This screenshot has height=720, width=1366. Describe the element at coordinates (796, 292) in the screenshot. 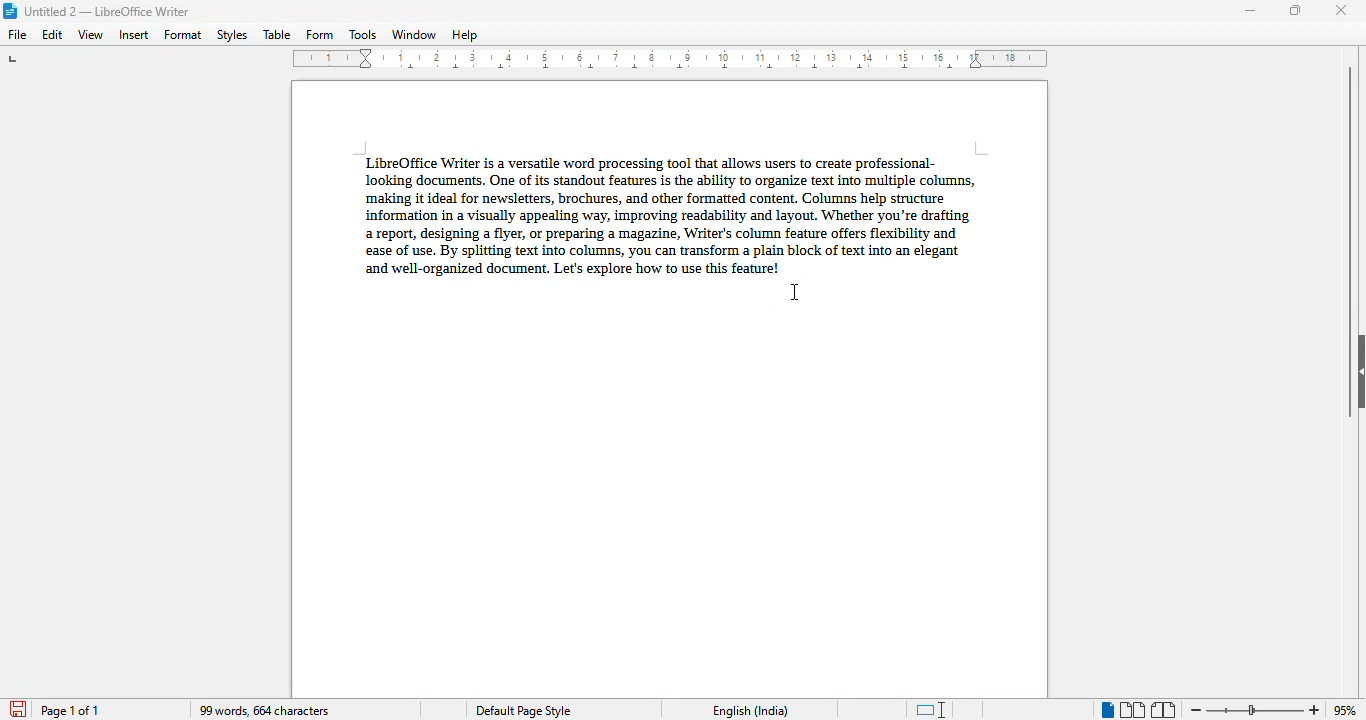

I see `cursor` at that location.